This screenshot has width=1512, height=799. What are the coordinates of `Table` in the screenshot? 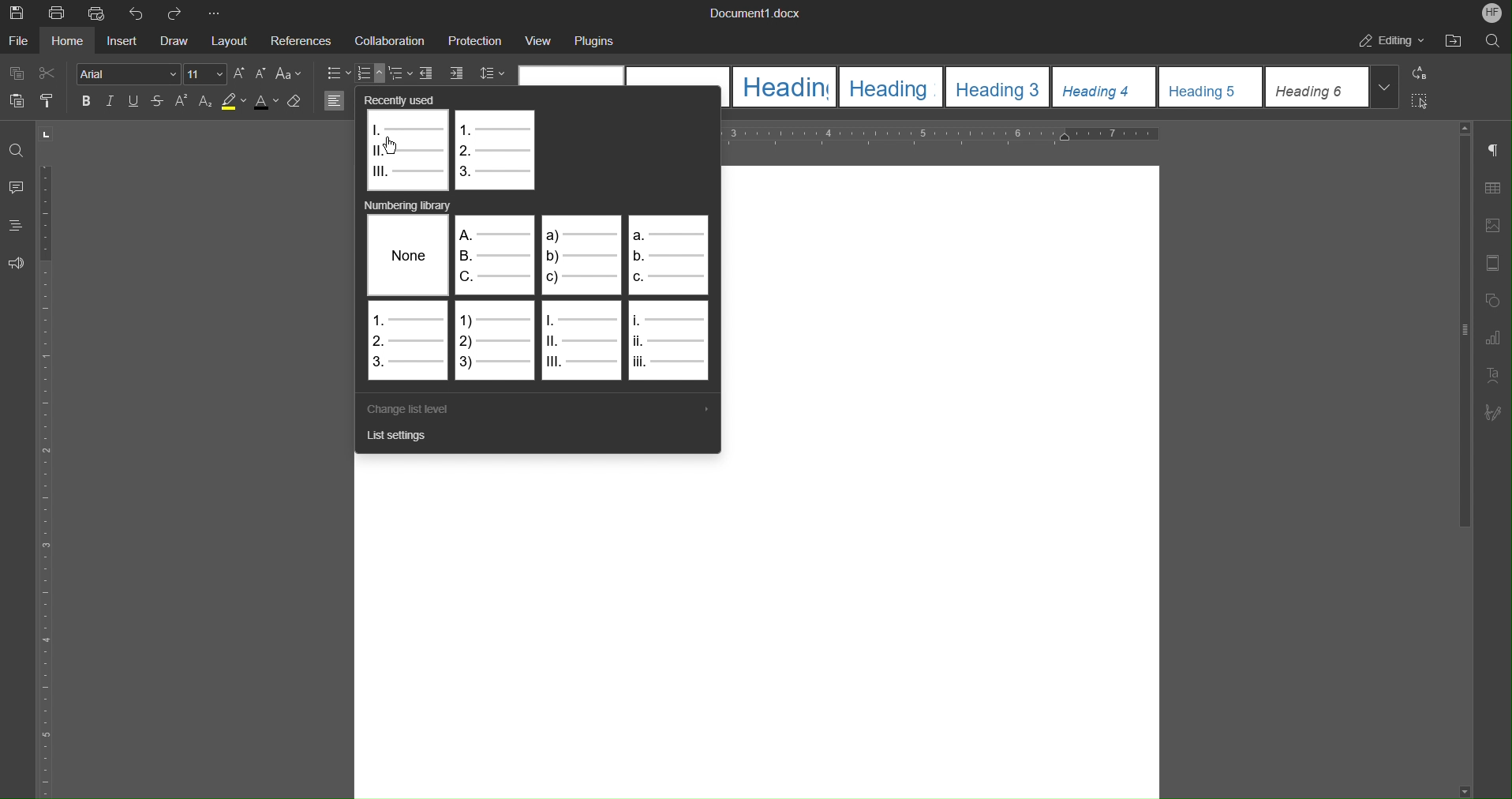 It's located at (1494, 188).